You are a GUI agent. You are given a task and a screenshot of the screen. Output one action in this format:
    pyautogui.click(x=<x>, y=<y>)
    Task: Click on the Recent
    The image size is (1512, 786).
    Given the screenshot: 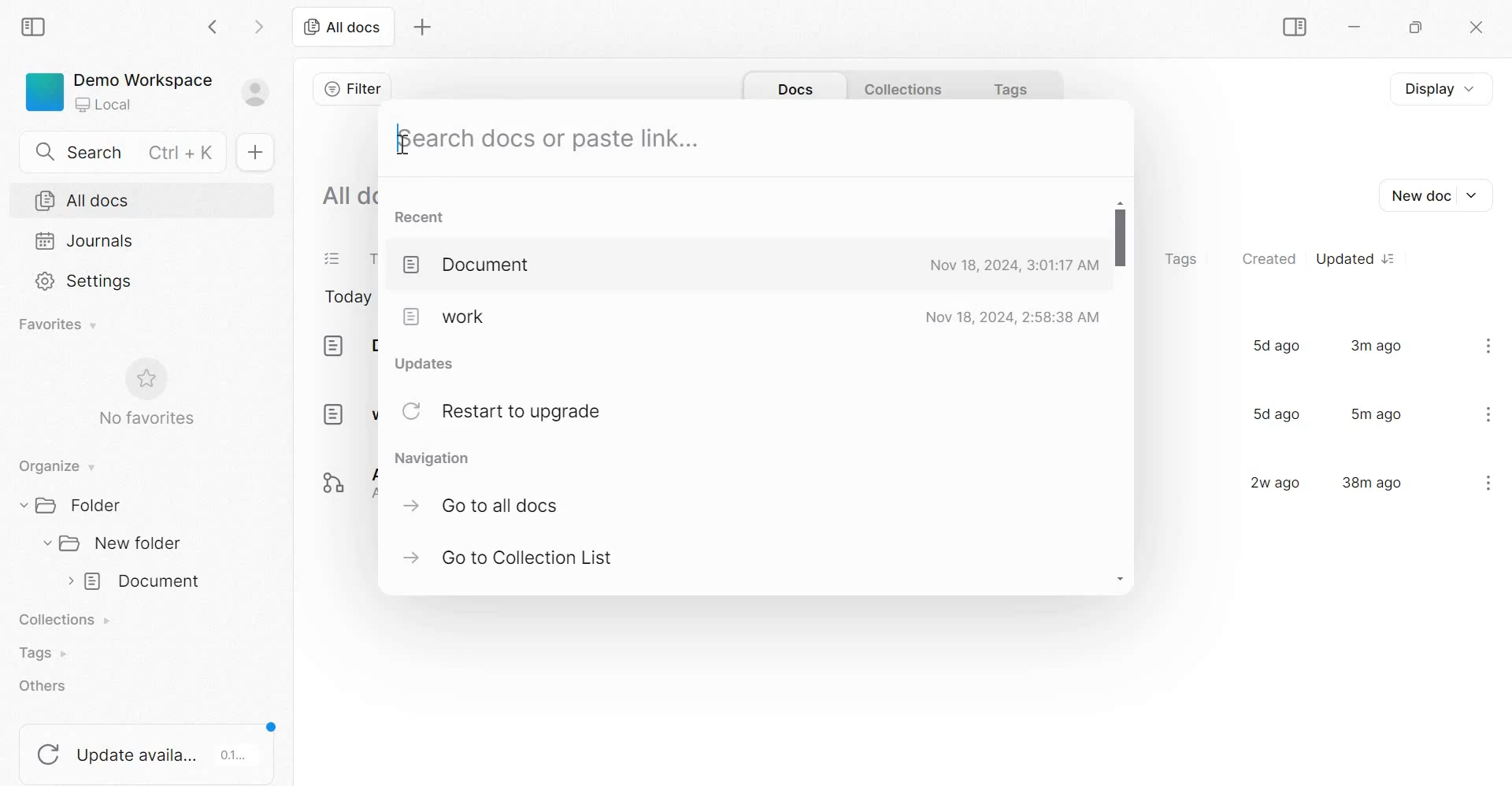 What is the action you would take?
    pyautogui.click(x=423, y=217)
    